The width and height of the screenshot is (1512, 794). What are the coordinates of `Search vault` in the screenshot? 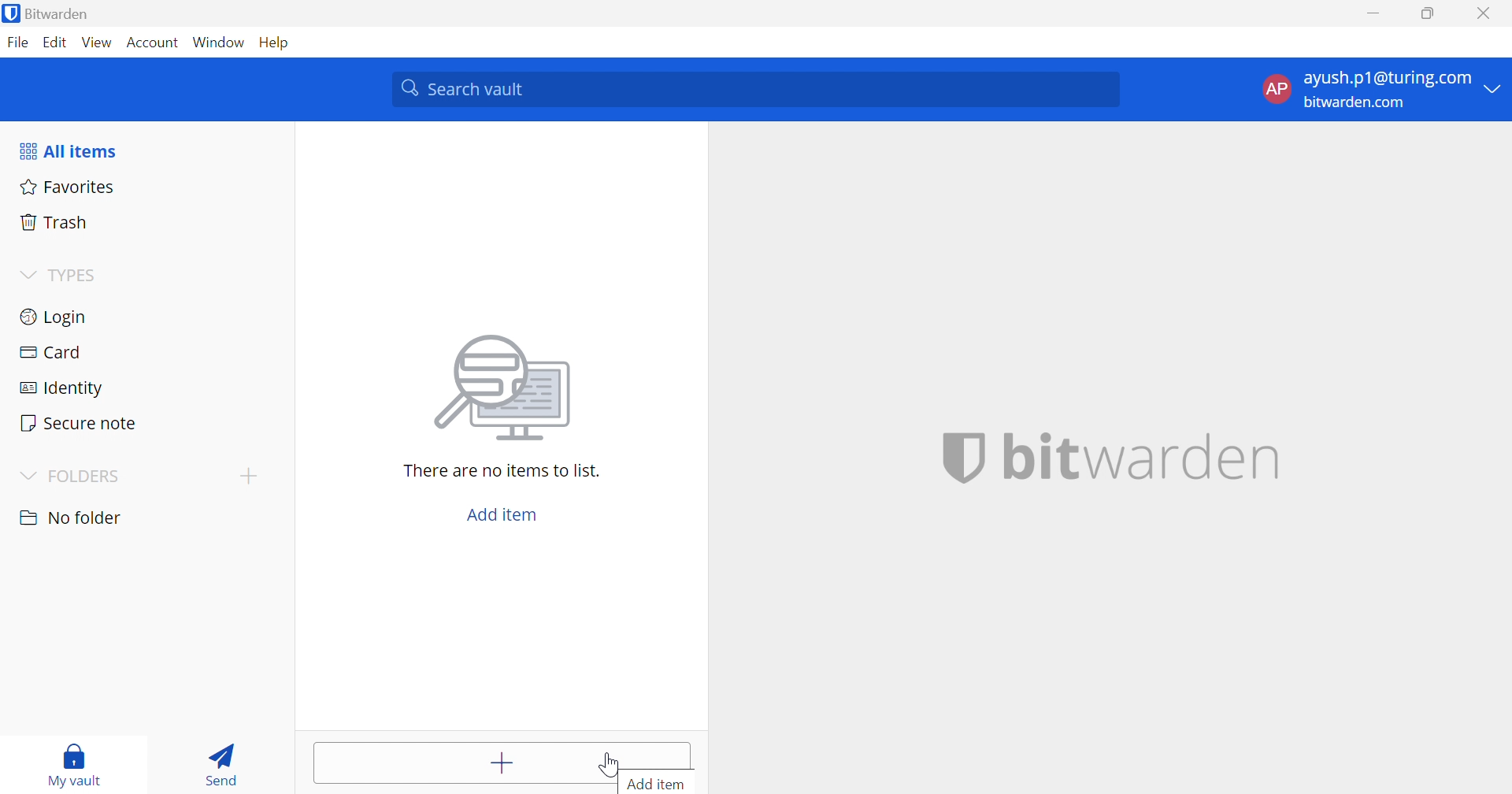 It's located at (757, 89).